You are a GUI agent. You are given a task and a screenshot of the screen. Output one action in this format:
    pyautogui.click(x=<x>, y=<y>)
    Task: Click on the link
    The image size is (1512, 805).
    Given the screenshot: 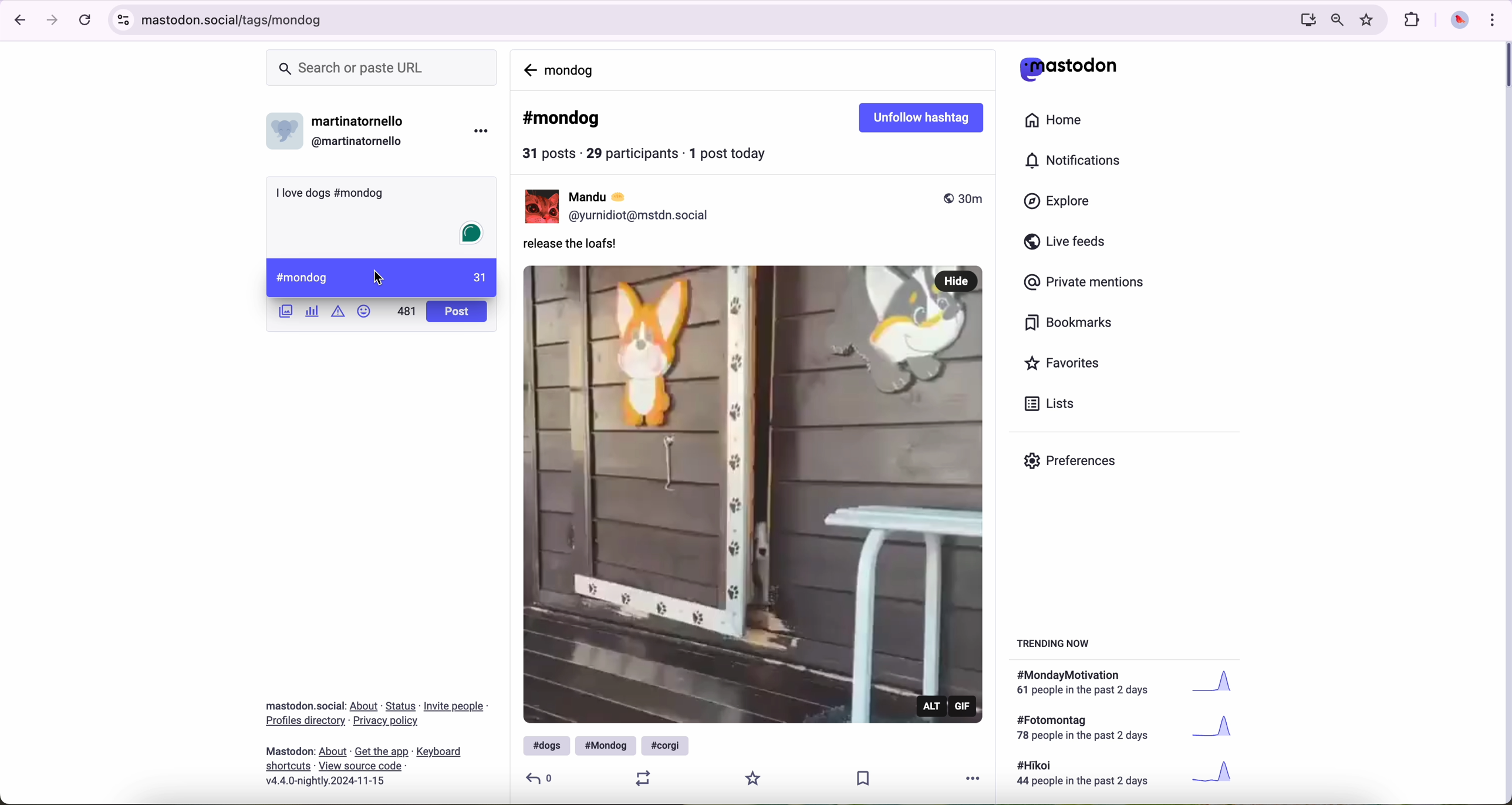 What is the action you would take?
    pyautogui.click(x=455, y=708)
    